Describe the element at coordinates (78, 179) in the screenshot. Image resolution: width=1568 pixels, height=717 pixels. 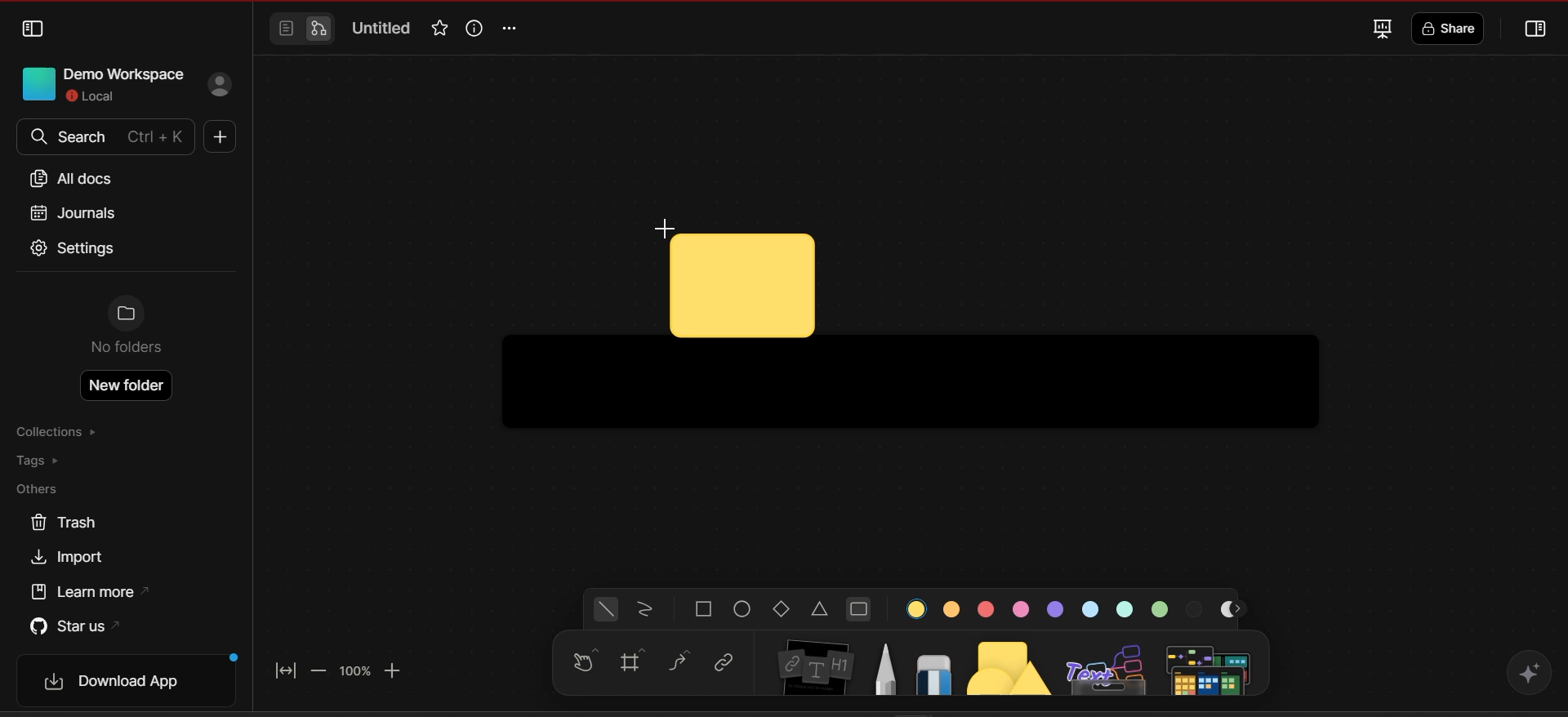
I see `all docs` at that location.